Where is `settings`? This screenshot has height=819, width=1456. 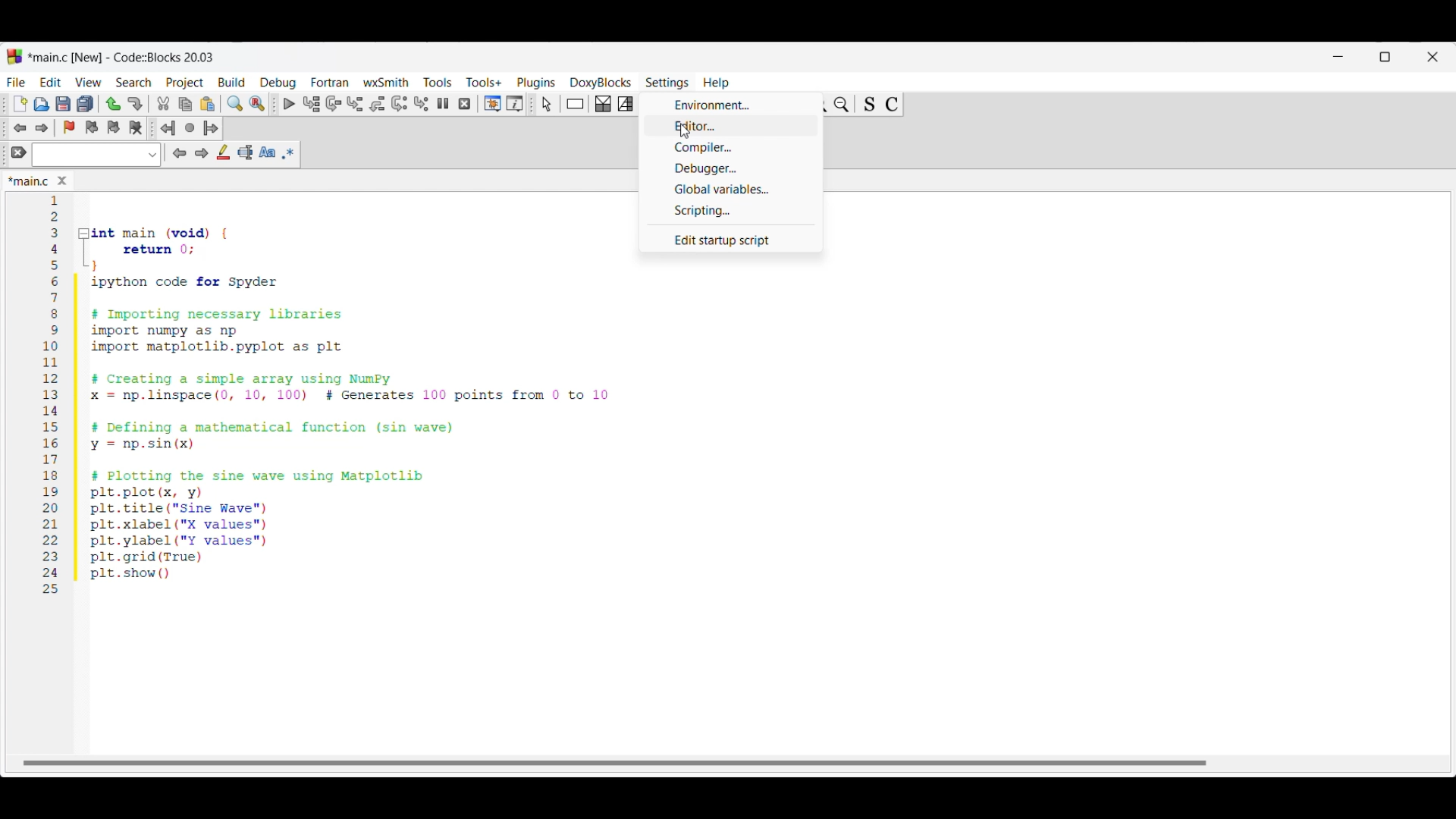
settings is located at coordinates (669, 83).